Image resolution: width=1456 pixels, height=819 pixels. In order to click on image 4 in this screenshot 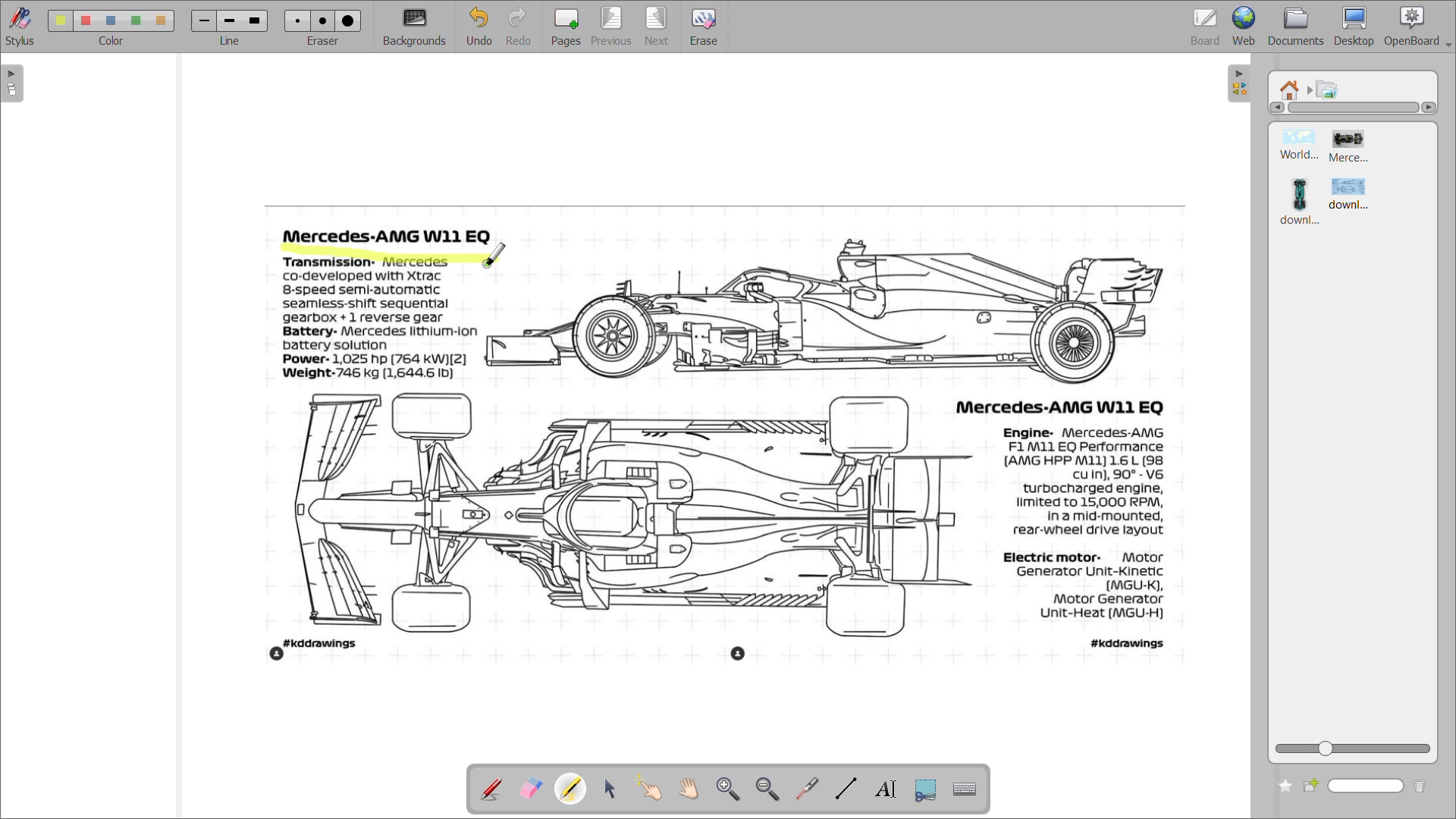, I will do `click(1351, 195)`.